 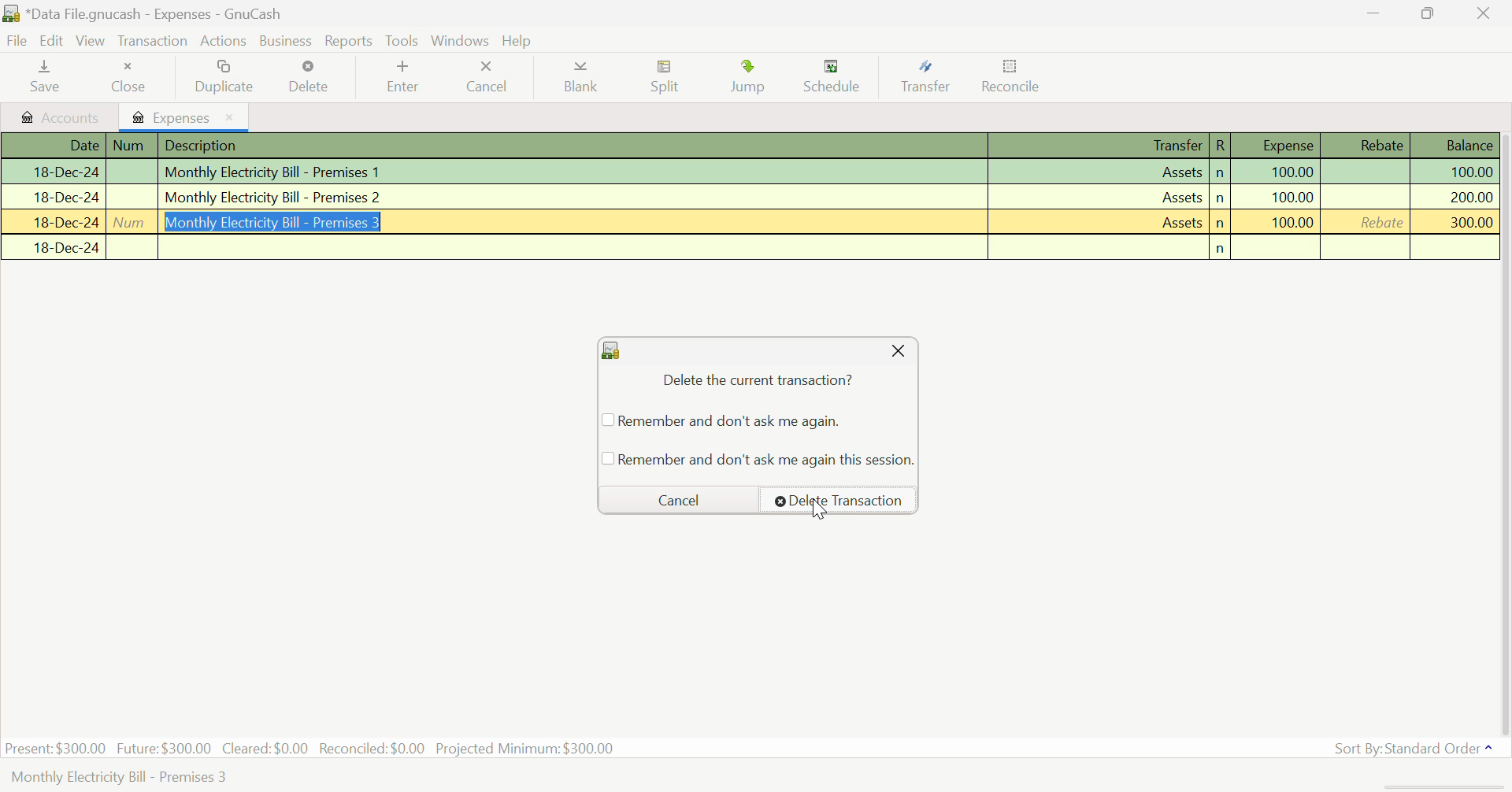 What do you see at coordinates (519, 40) in the screenshot?
I see `Help` at bounding box center [519, 40].